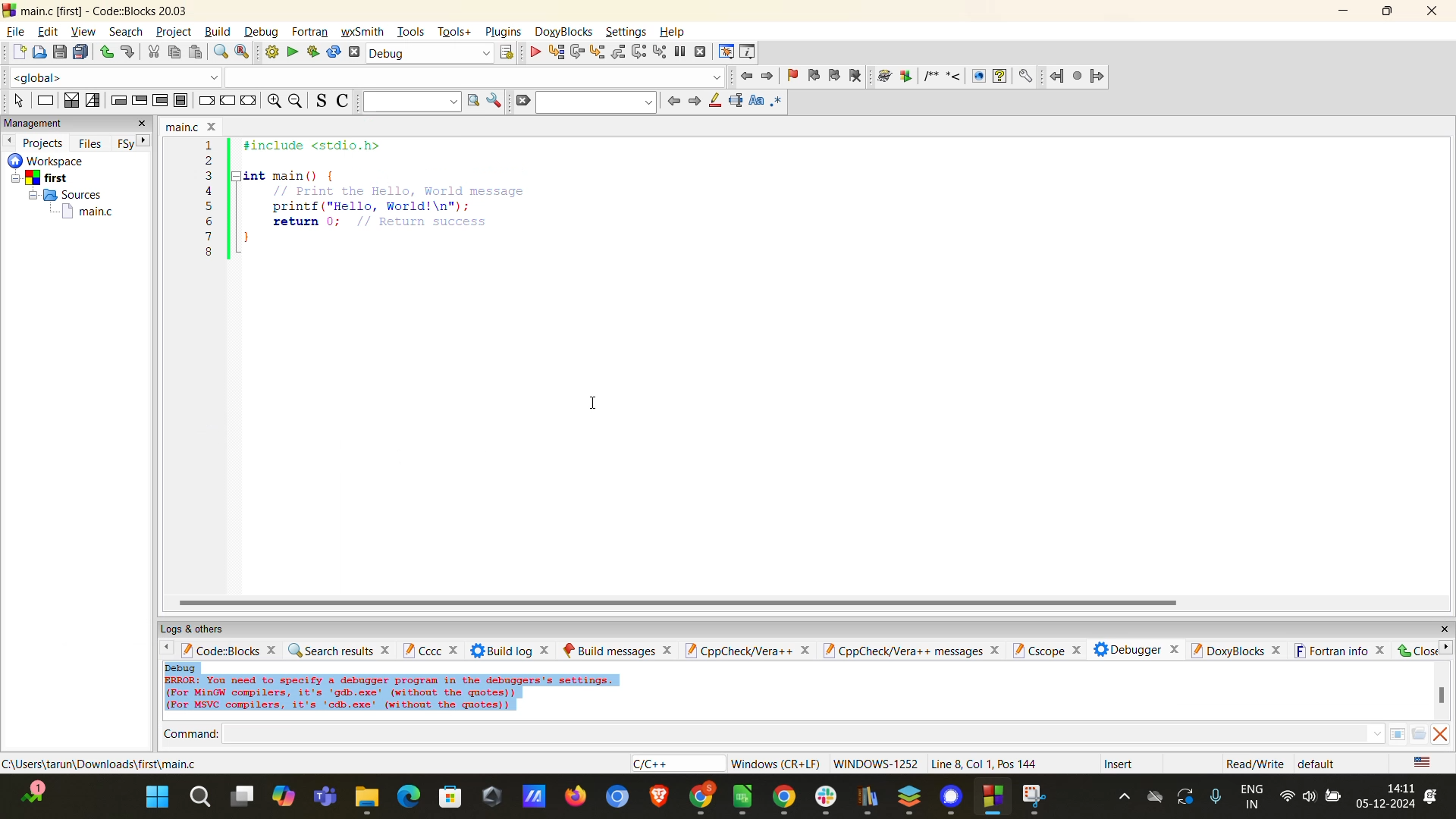 This screenshot has height=819, width=1456. Describe the element at coordinates (739, 108) in the screenshot. I see `selected text` at that location.